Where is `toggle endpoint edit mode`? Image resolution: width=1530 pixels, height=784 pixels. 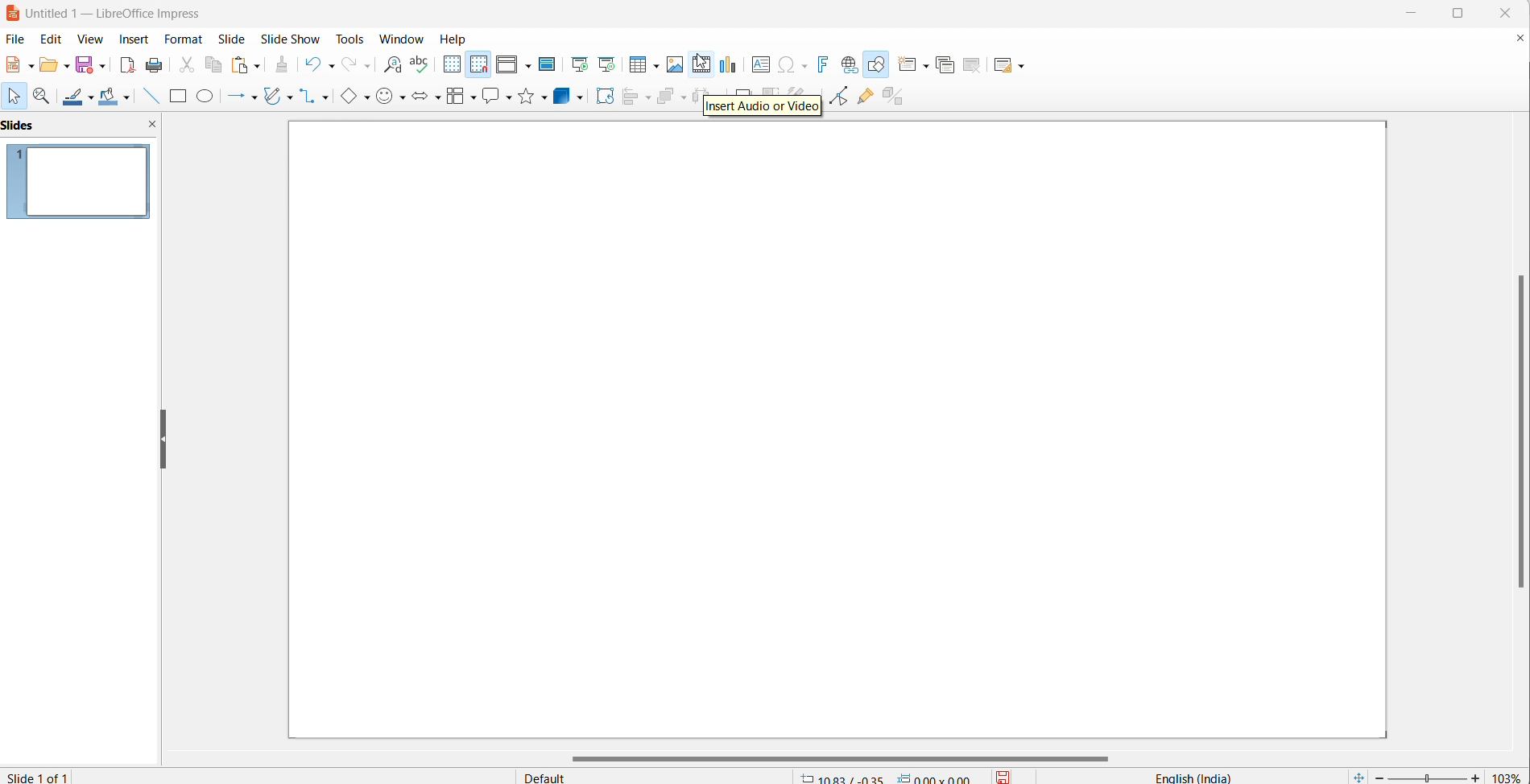 toggle endpoint edit mode is located at coordinates (843, 98).